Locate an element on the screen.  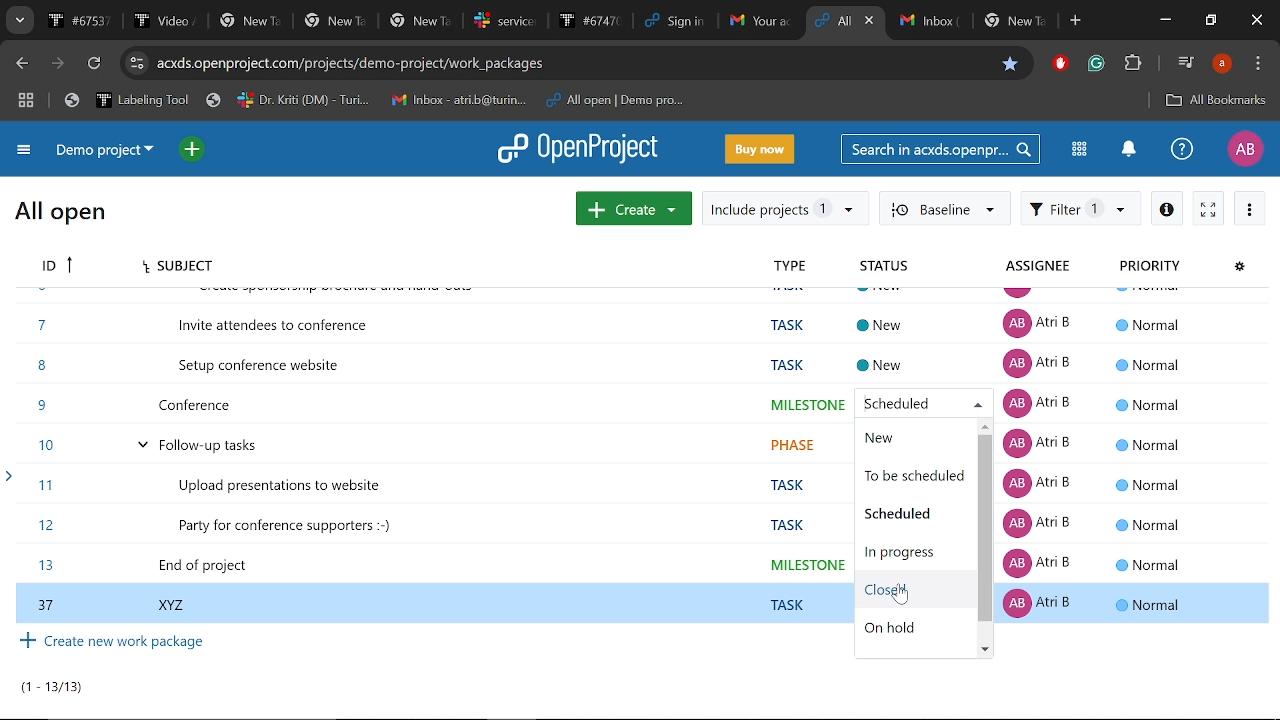
Pages is located at coordinates (62, 687).